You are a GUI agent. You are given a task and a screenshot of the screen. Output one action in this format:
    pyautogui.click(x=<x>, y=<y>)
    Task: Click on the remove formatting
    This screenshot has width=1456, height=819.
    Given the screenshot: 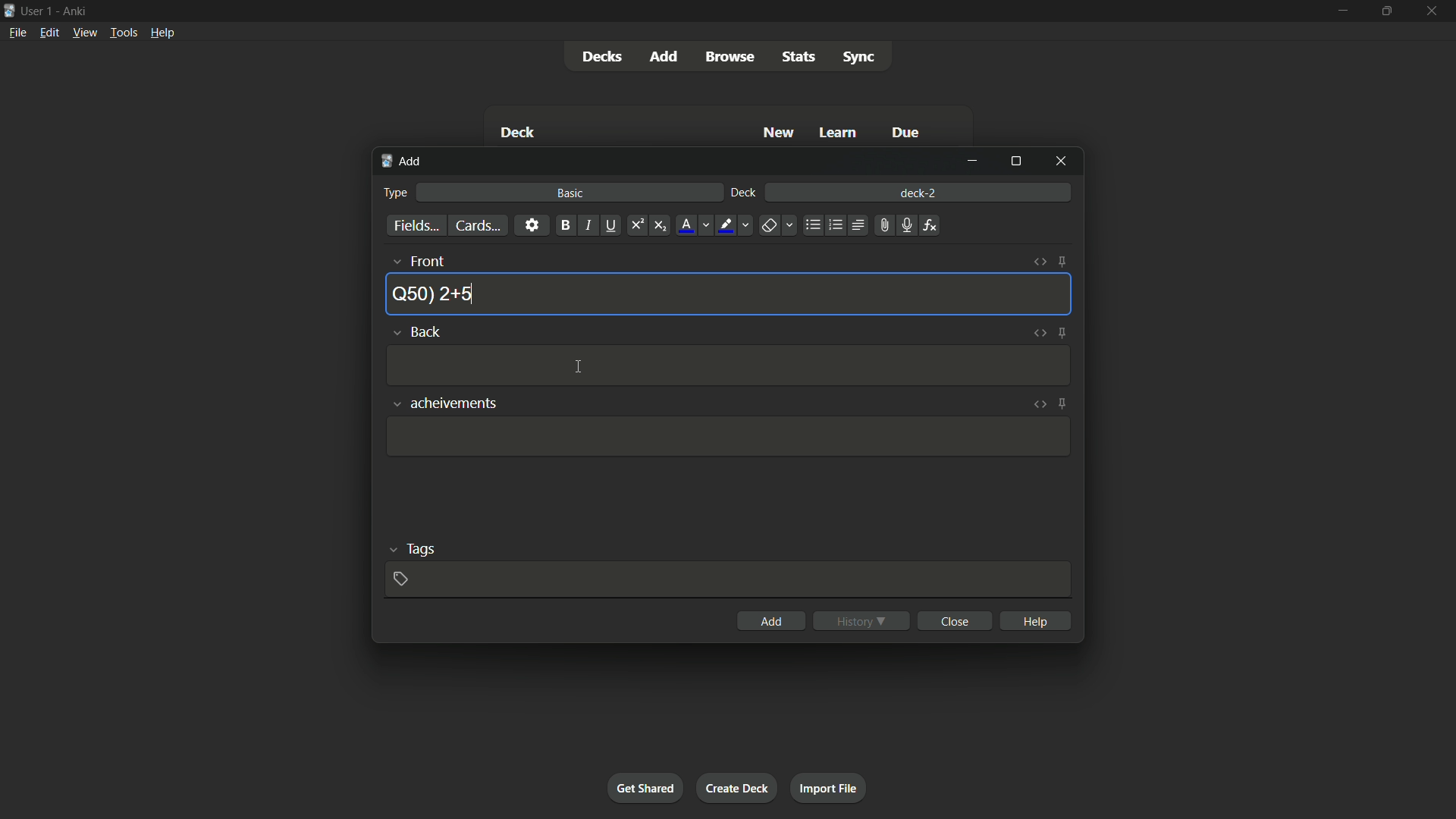 What is the action you would take?
    pyautogui.click(x=780, y=226)
    